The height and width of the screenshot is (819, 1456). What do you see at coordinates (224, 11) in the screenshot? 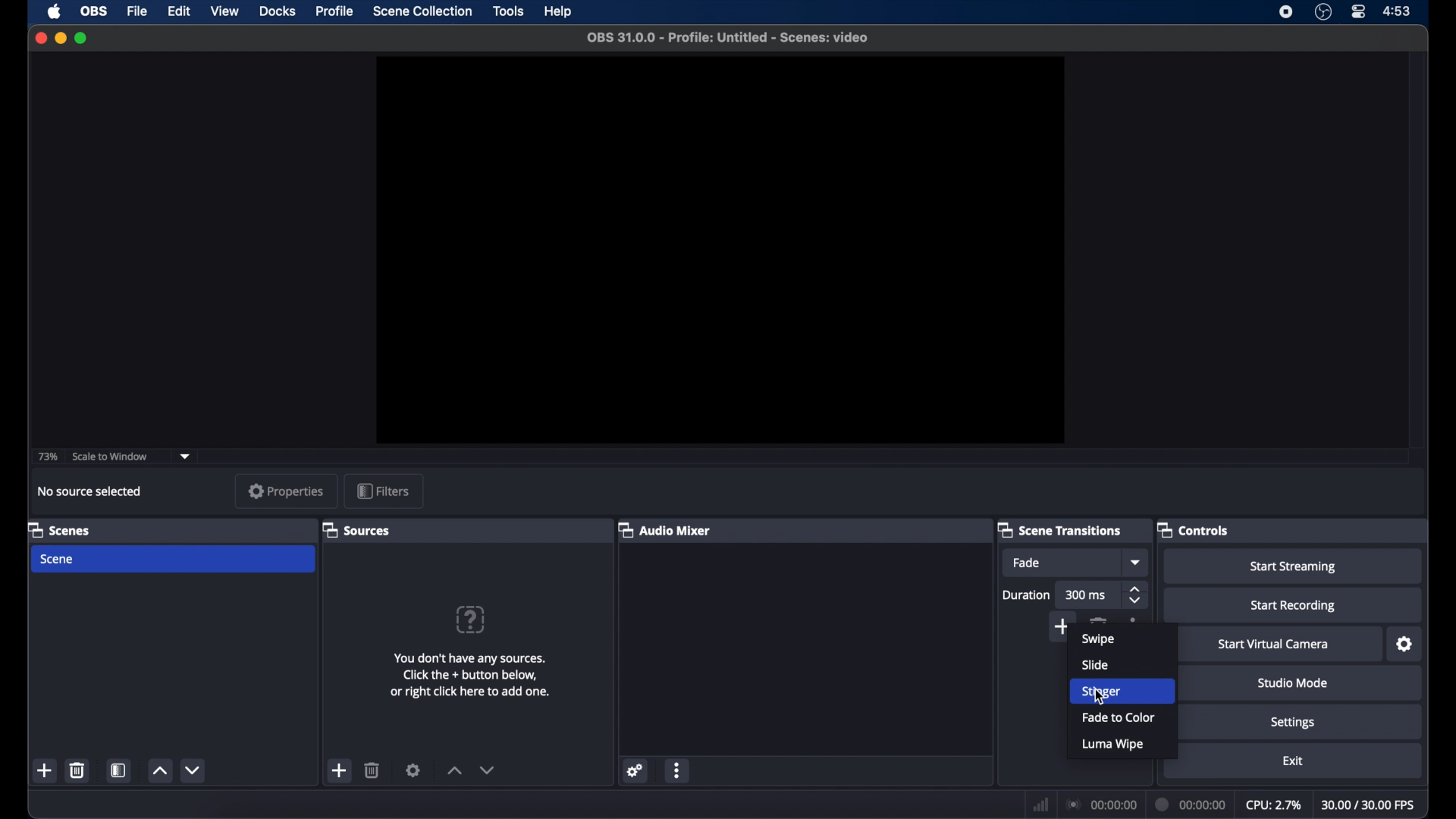
I see `view` at bounding box center [224, 11].